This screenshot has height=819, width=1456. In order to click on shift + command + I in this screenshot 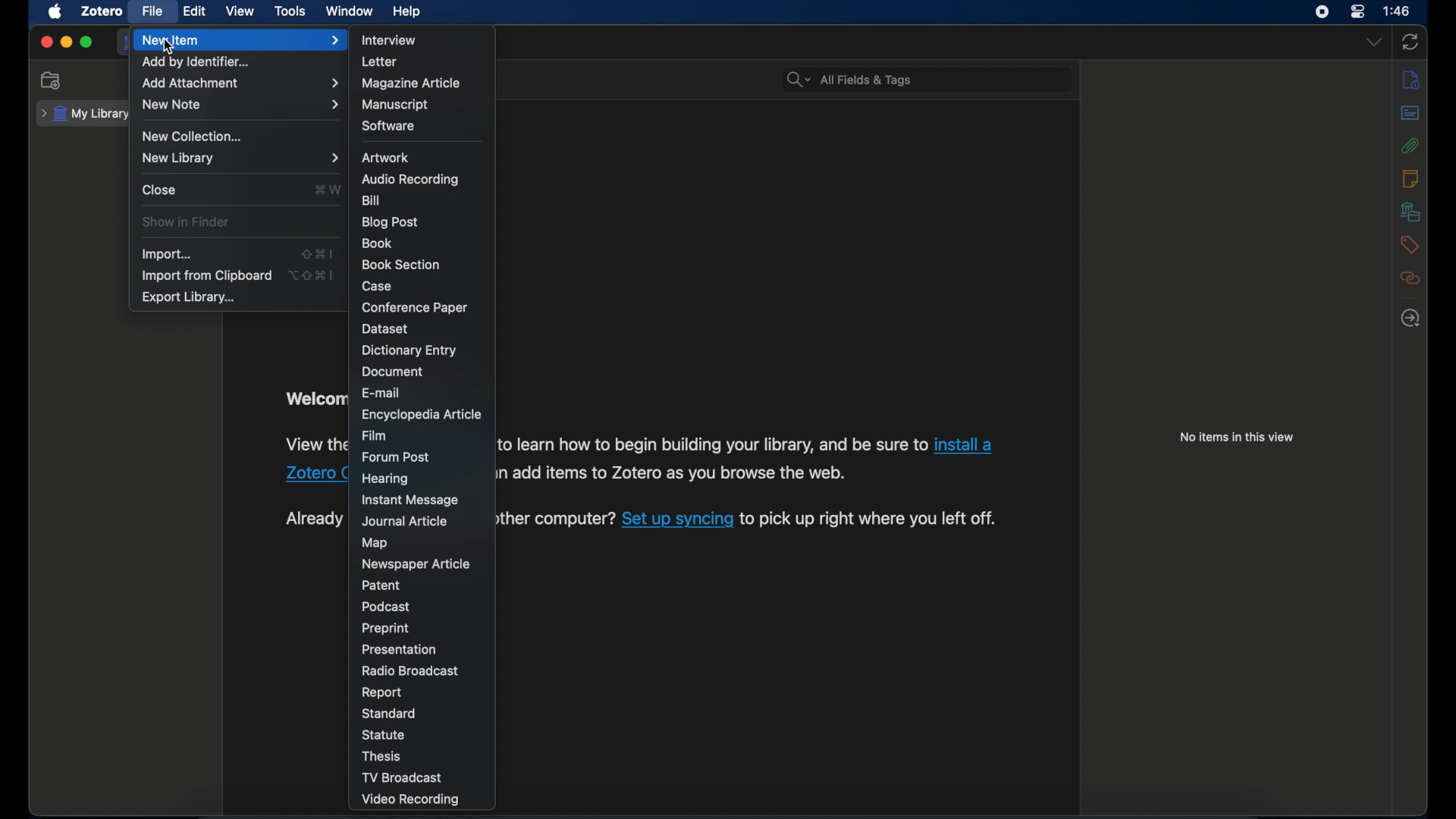, I will do `click(315, 253)`.